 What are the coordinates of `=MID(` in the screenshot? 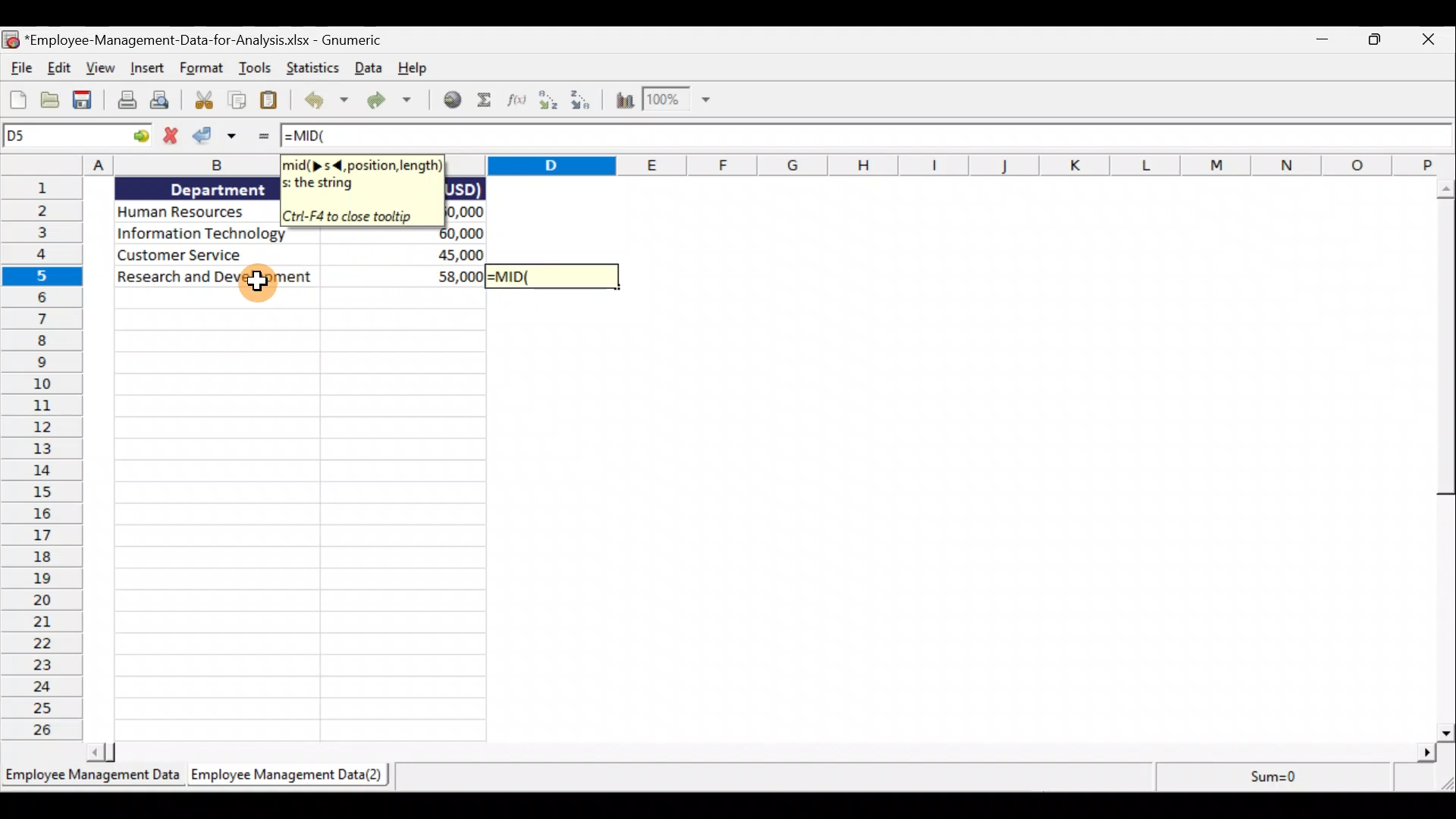 It's located at (867, 136).